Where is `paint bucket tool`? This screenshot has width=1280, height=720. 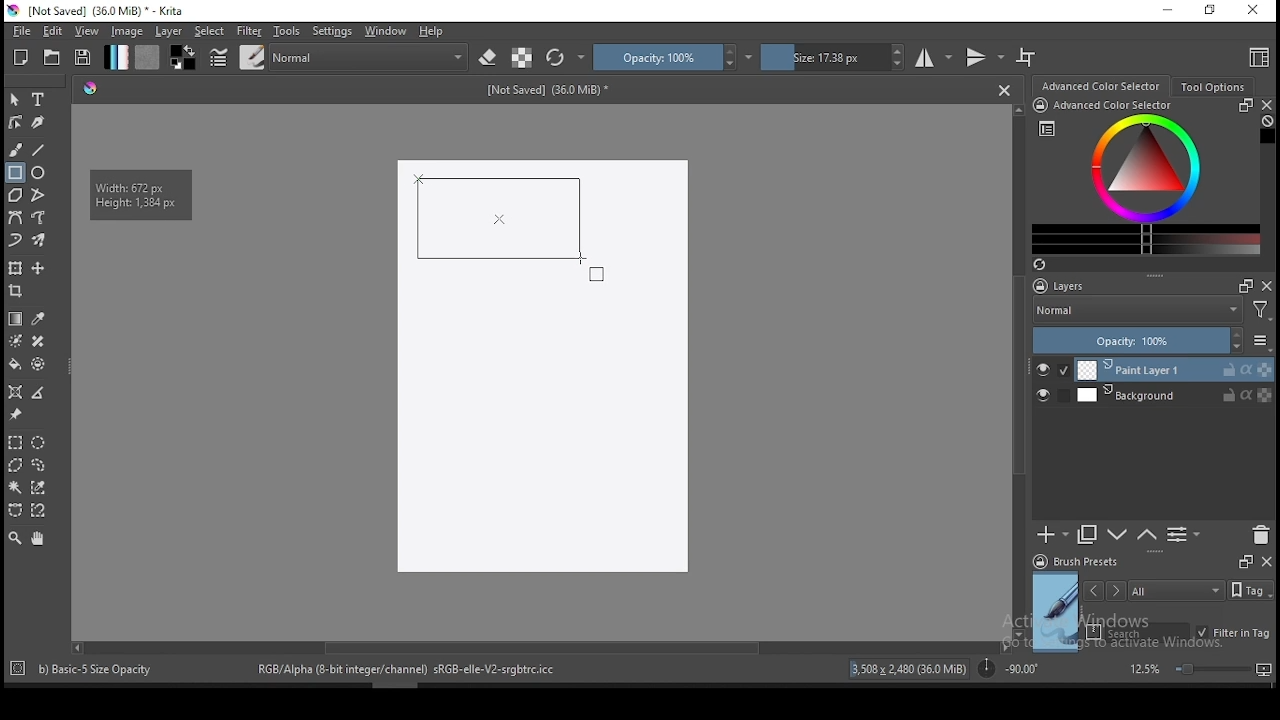
paint bucket tool is located at coordinates (15, 364).